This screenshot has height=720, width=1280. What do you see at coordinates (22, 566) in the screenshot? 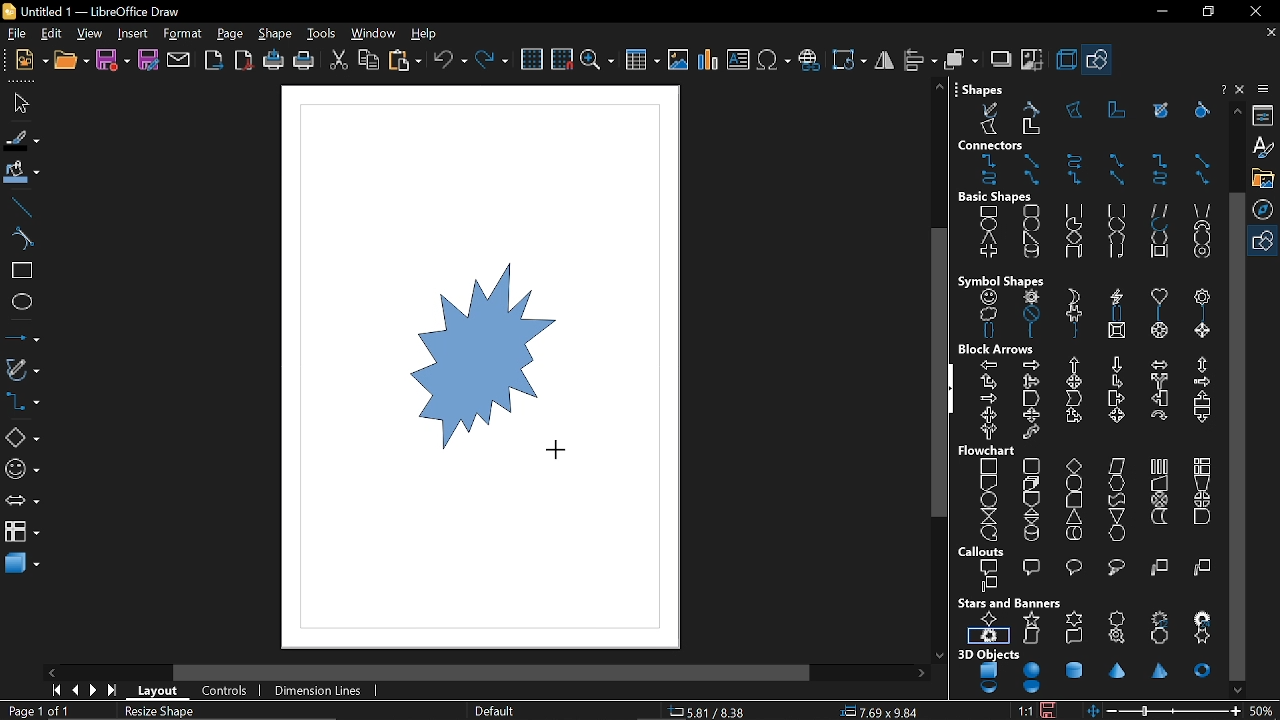
I see `3d shapes` at bounding box center [22, 566].